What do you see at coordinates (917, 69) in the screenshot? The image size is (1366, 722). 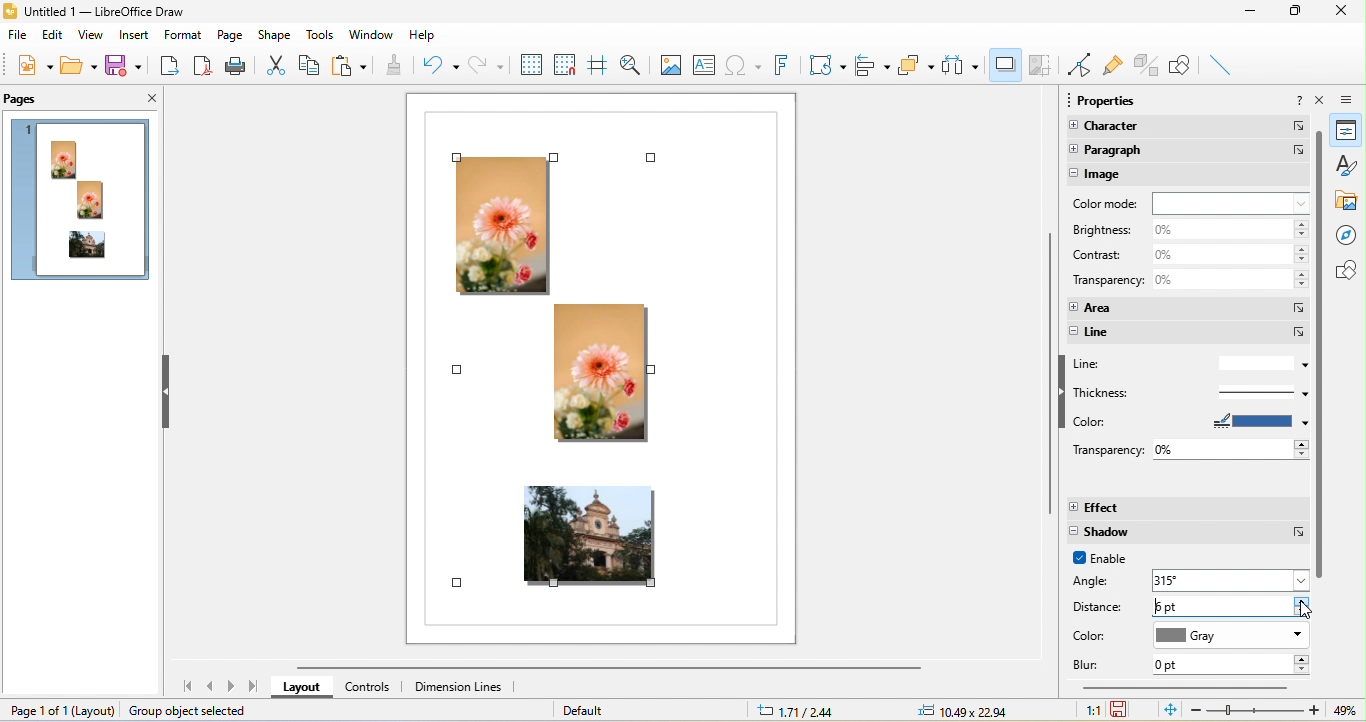 I see `arrange` at bounding box center [917, 69].